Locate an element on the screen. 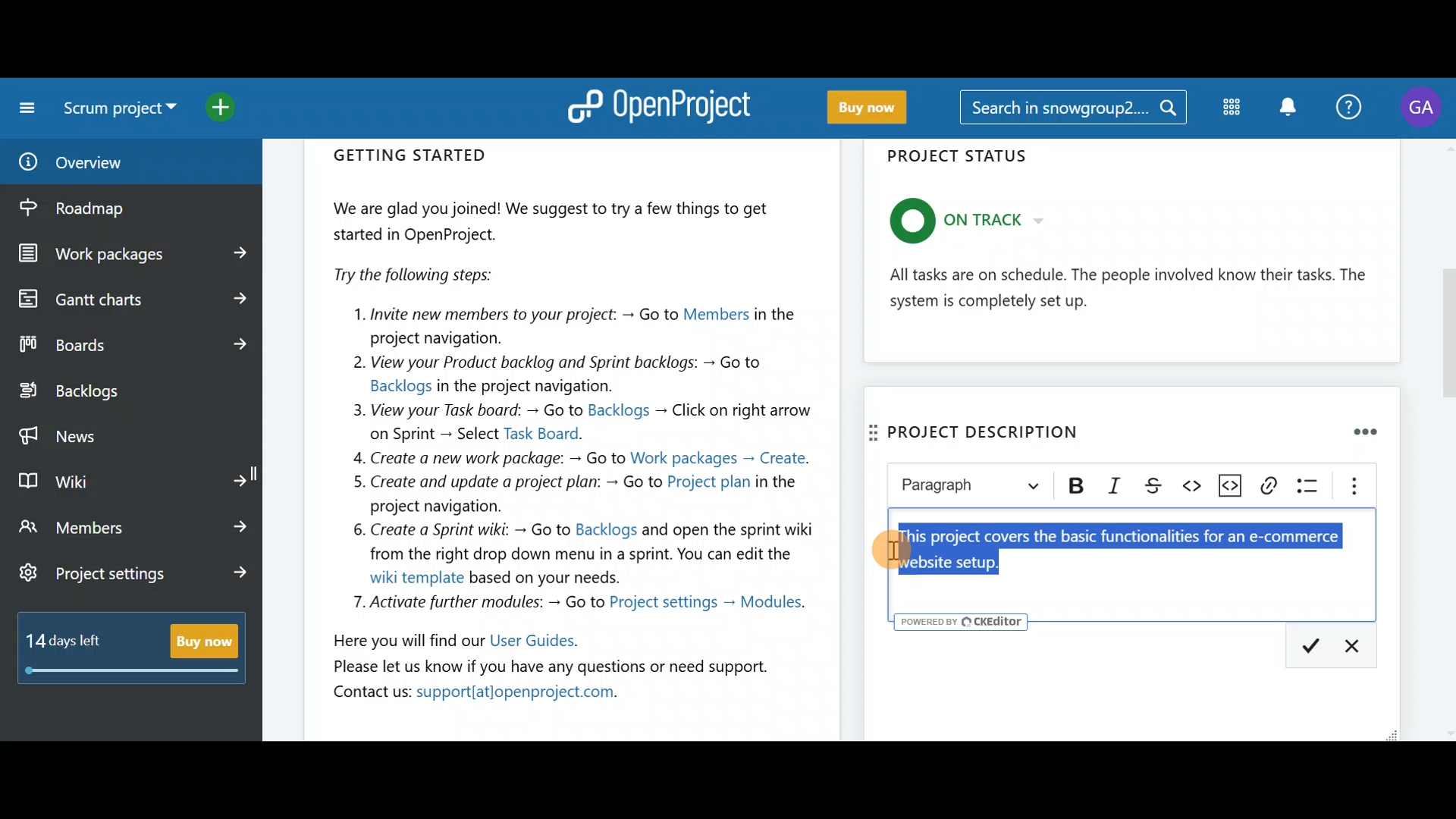 The width and height of the screenshot is (1456, 819). Buy now is located at coordinates (138, 657).